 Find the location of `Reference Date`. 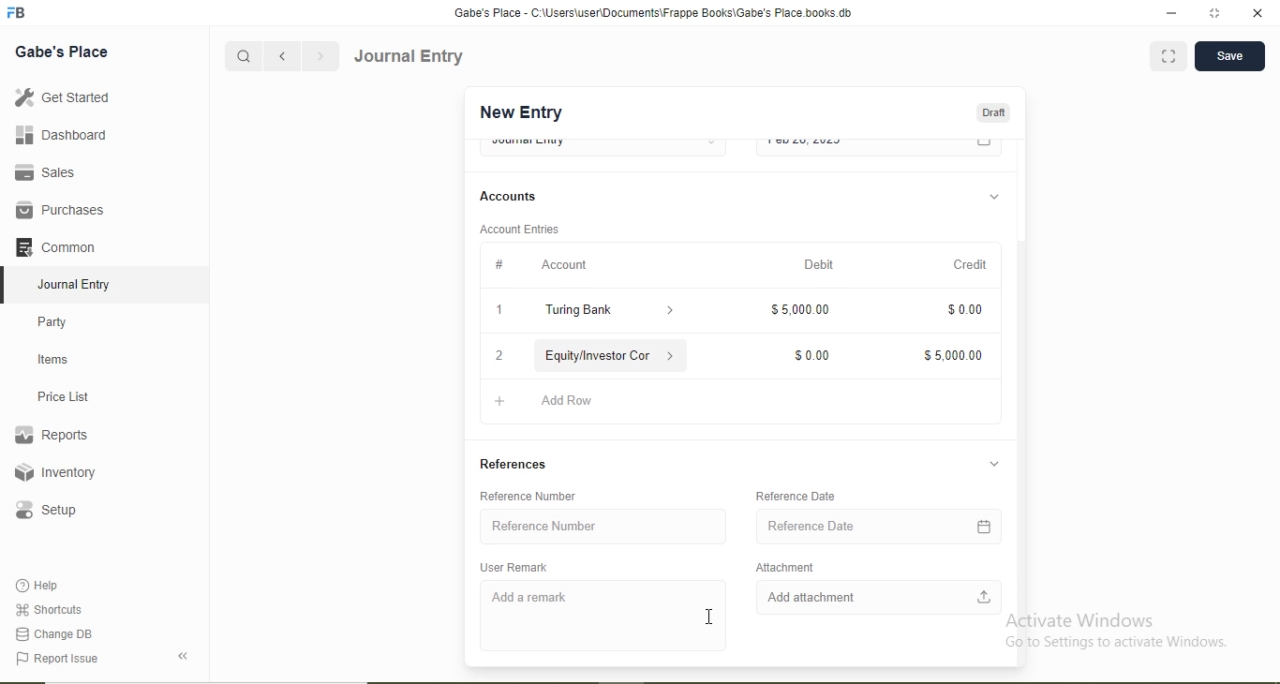

Reference Date is located at coordinates (812, 526).